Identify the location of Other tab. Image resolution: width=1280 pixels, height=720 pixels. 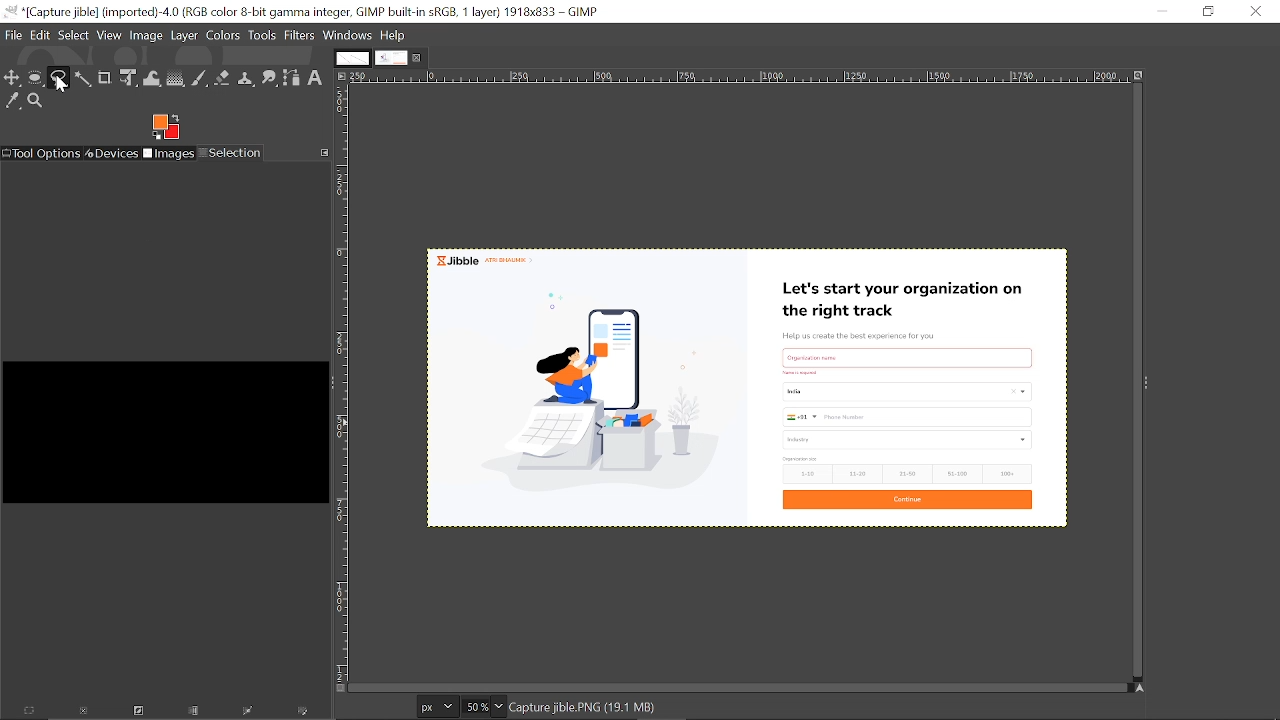
(351, 58).